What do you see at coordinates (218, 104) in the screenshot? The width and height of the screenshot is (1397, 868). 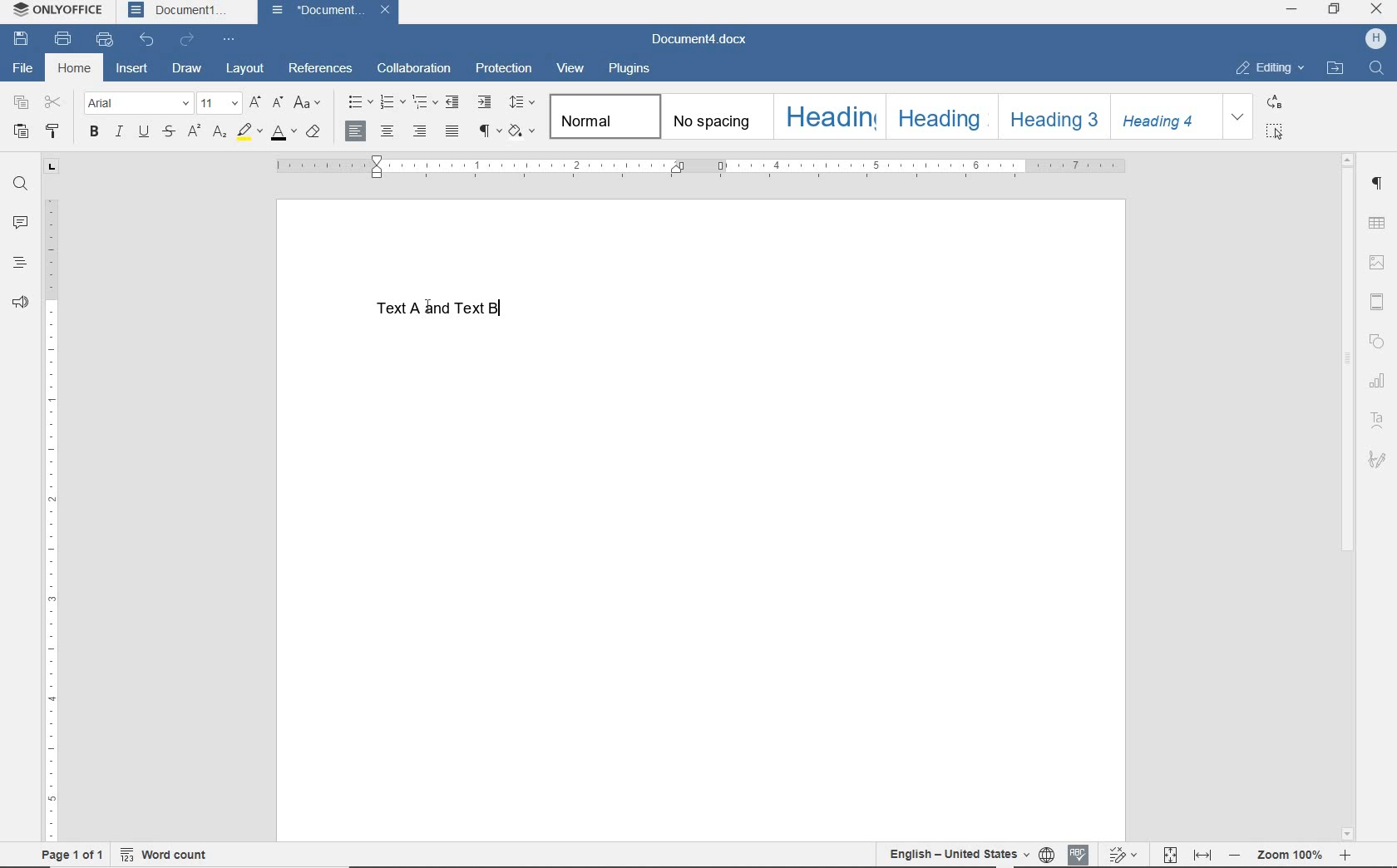 I see `FONT SIZE` at bounding box center [218, 104].